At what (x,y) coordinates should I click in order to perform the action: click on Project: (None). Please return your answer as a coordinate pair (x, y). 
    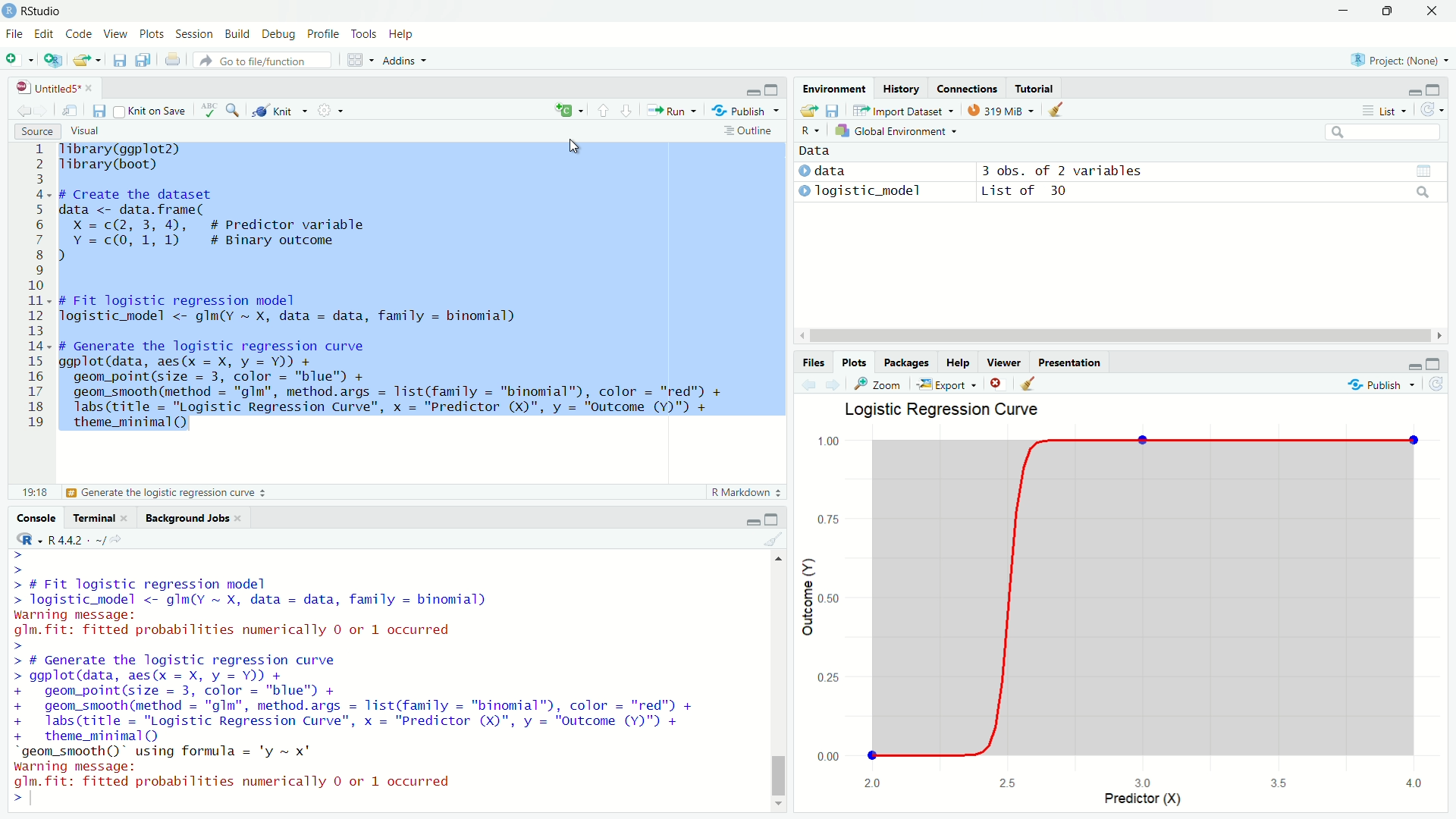
    Looking at the image, I should click on (1399, 60).